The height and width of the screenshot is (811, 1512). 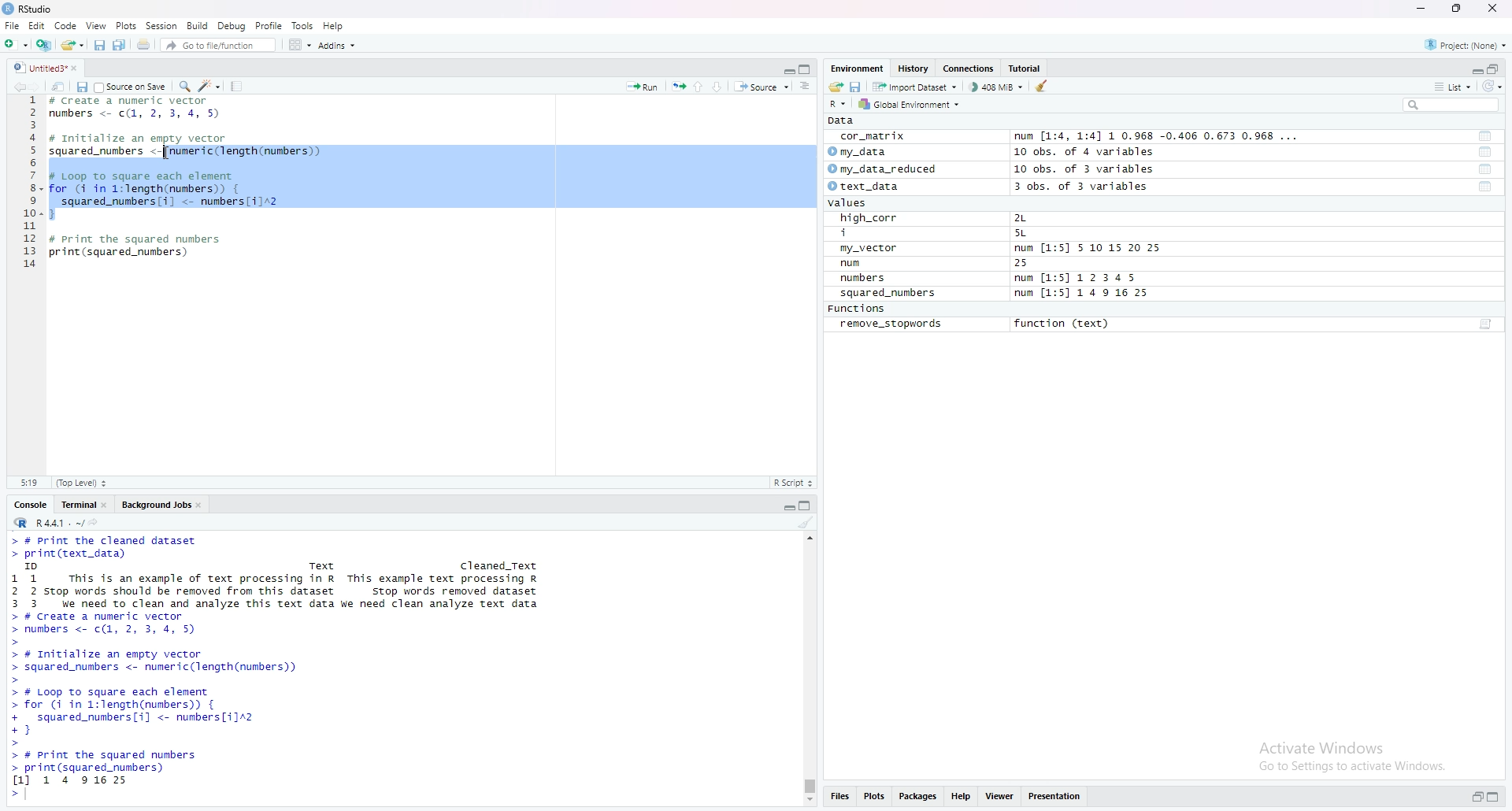 I want to click on Code, so click(x=66, y=25).